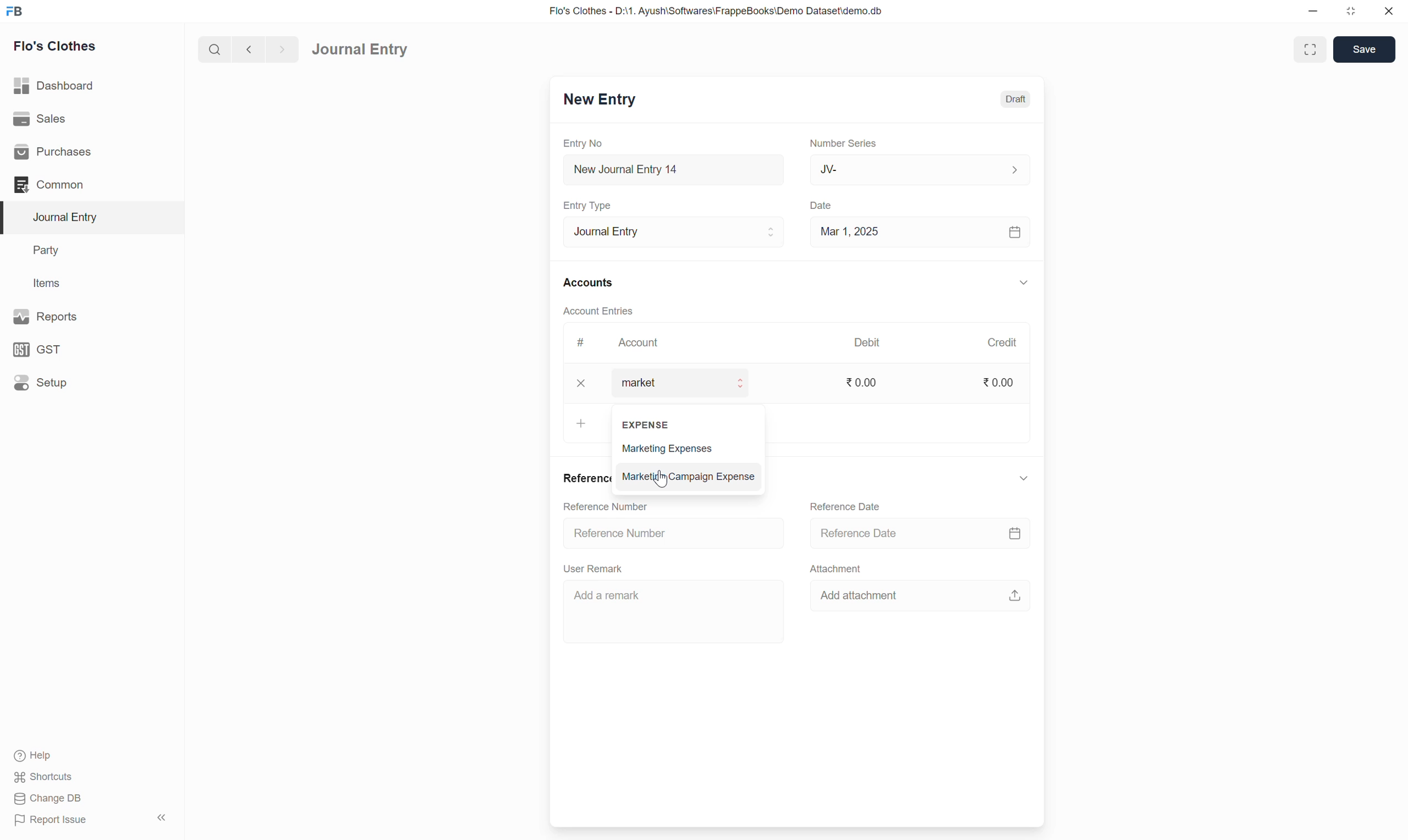 The height and width of the screenshot is (840, 1408). Describe the element at coordinates (360, 50) in the screenshot. I see `Journal Entry` at that location.